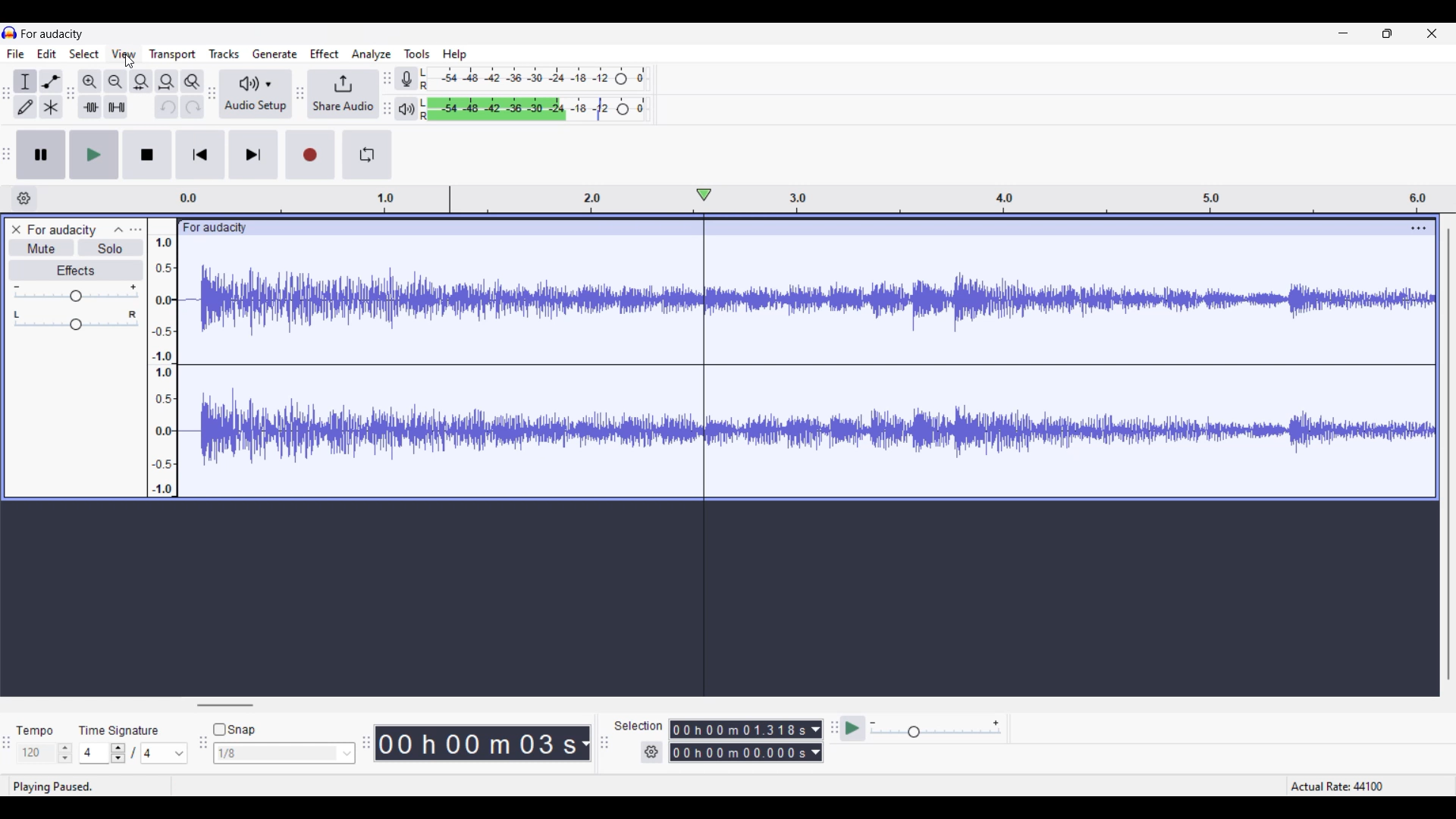  I want to click on Skip/Select to start, so click(201, 155).